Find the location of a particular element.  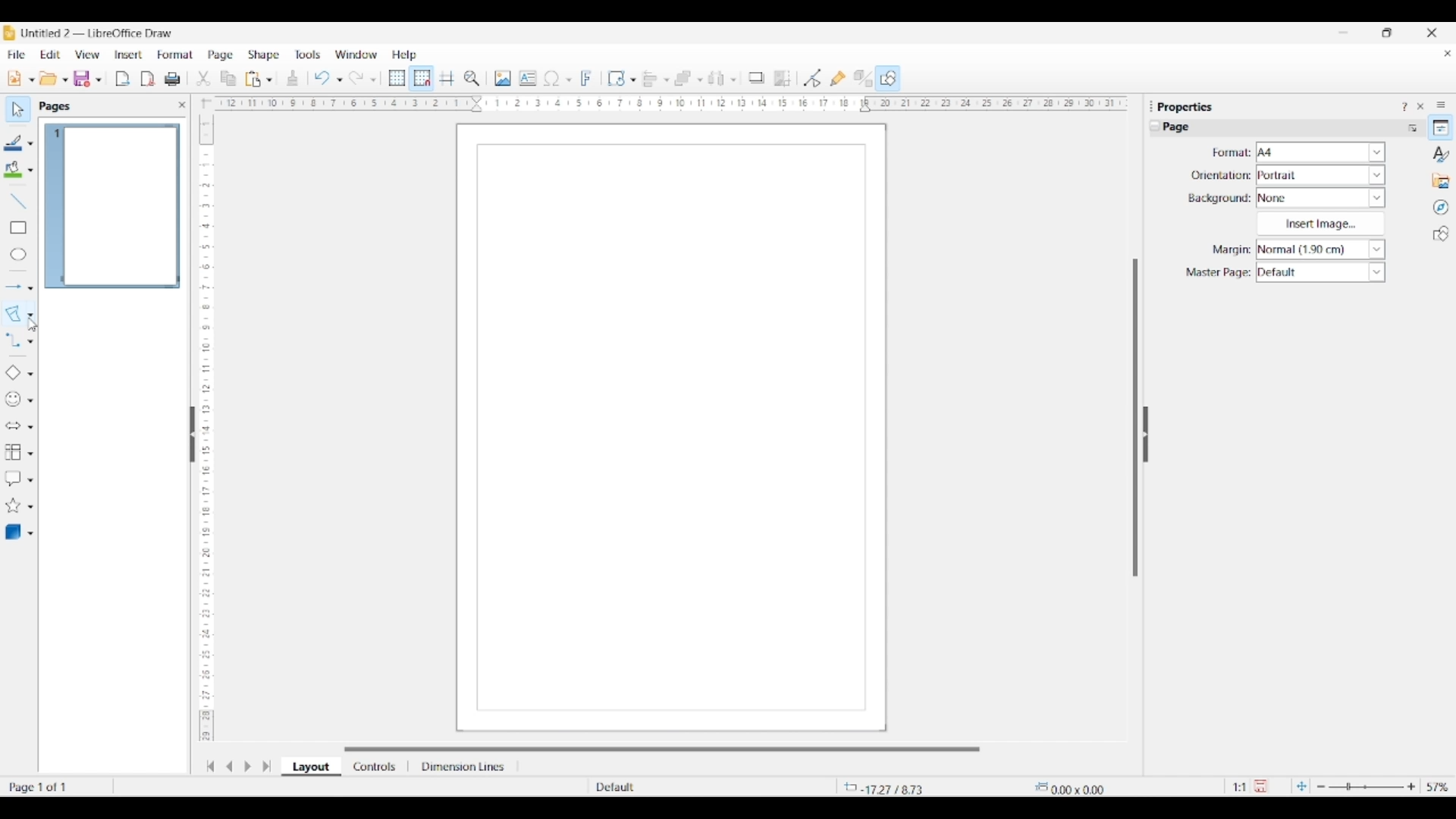

Transformations option is located at coordinates (632, 80).